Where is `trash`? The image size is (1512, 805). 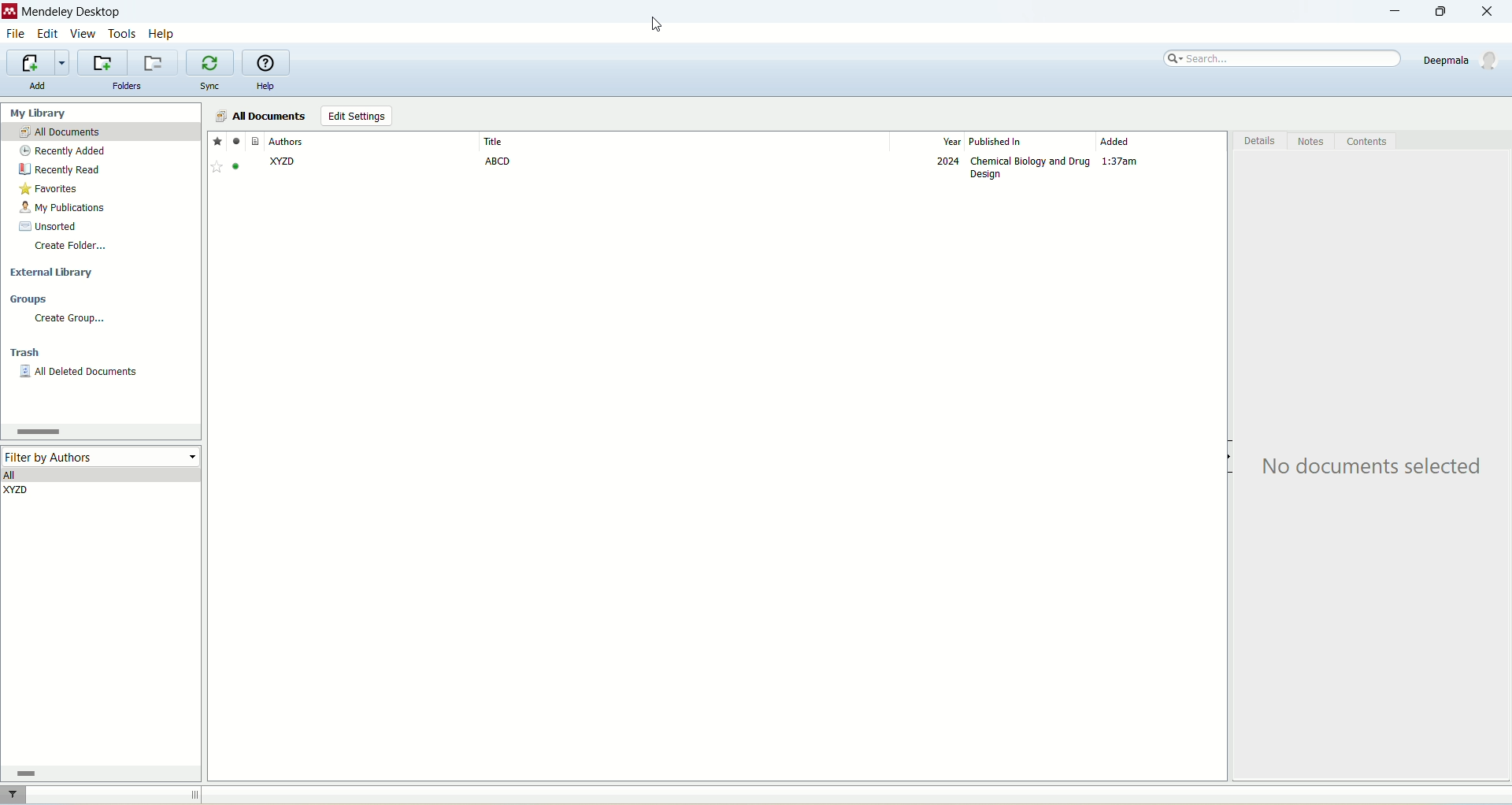
trash is located at coordinates (26, 353).